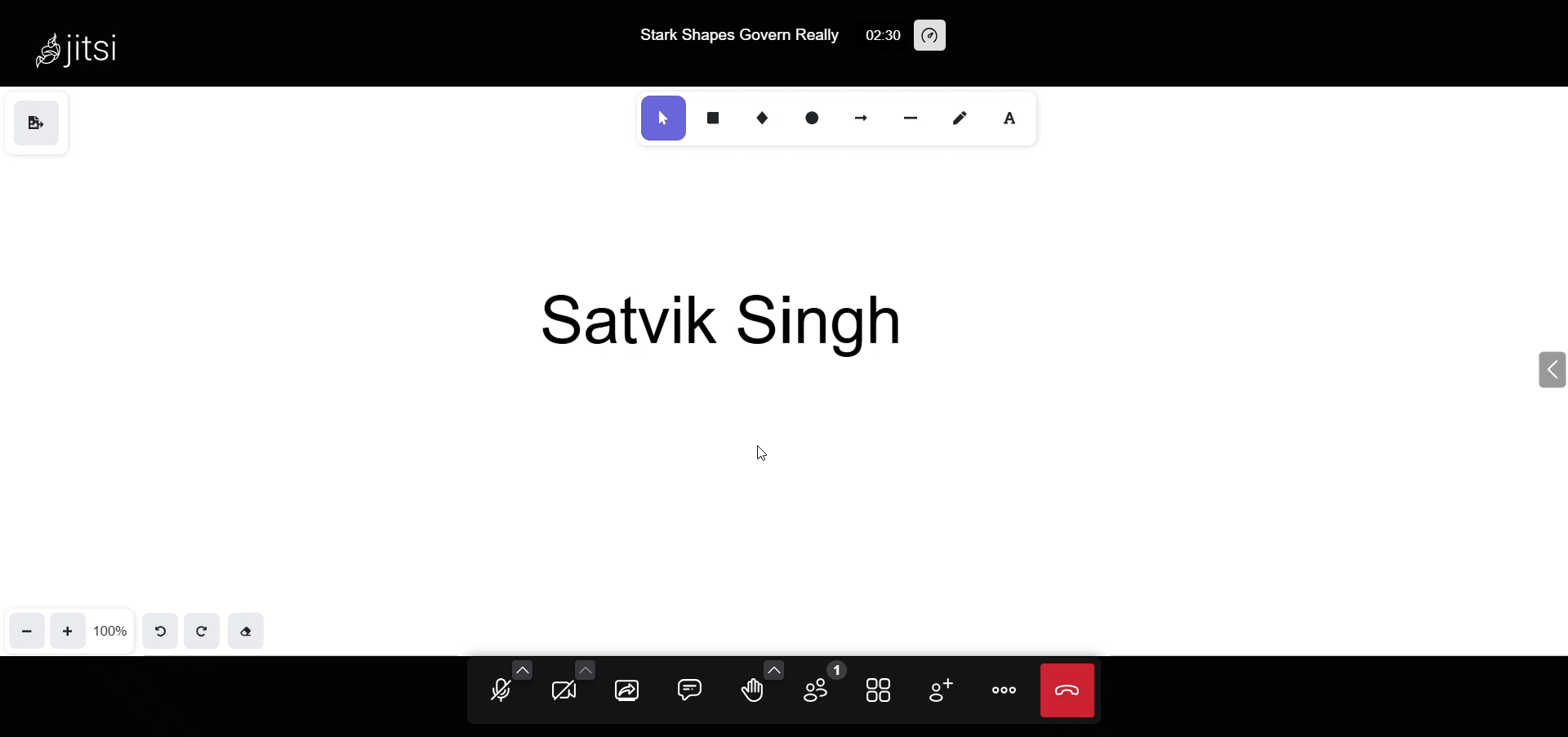  Describe the element at coordinates (70, 629) in the screenshot. I see `zoom in` at that location.